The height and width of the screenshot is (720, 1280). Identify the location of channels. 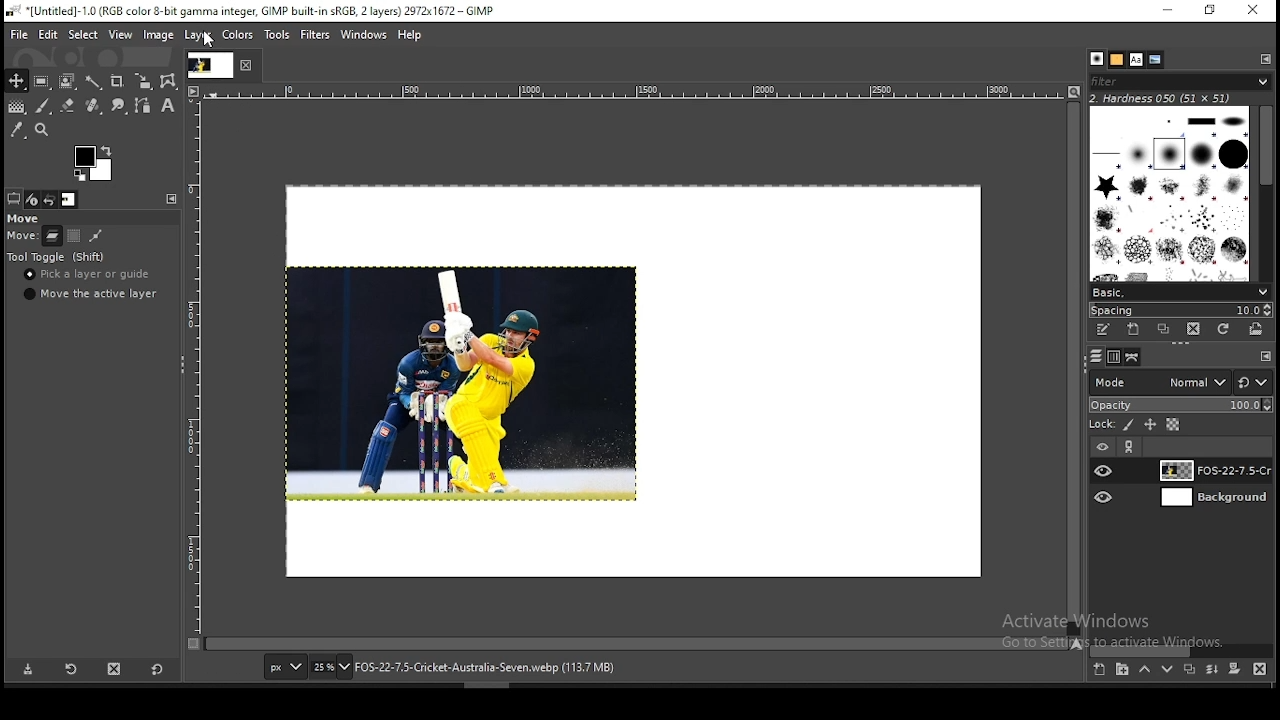
(1112, 358).